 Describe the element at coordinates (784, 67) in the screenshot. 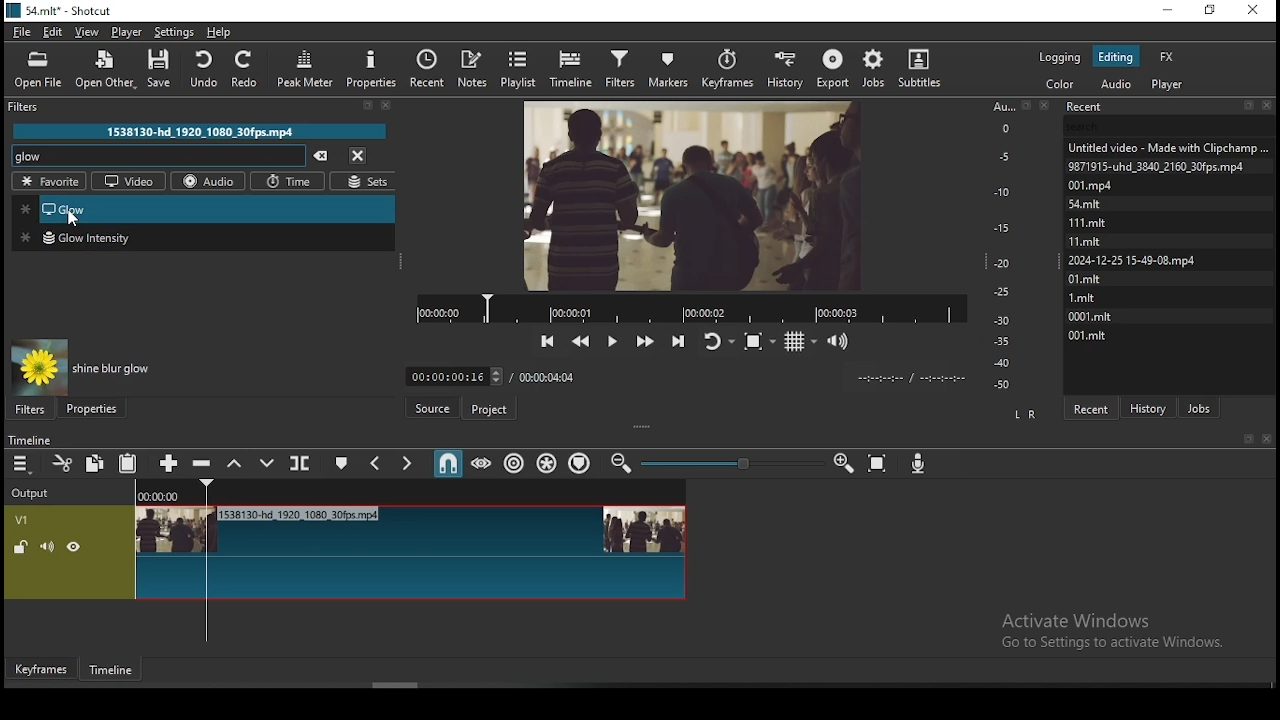

I see `history` at that location.